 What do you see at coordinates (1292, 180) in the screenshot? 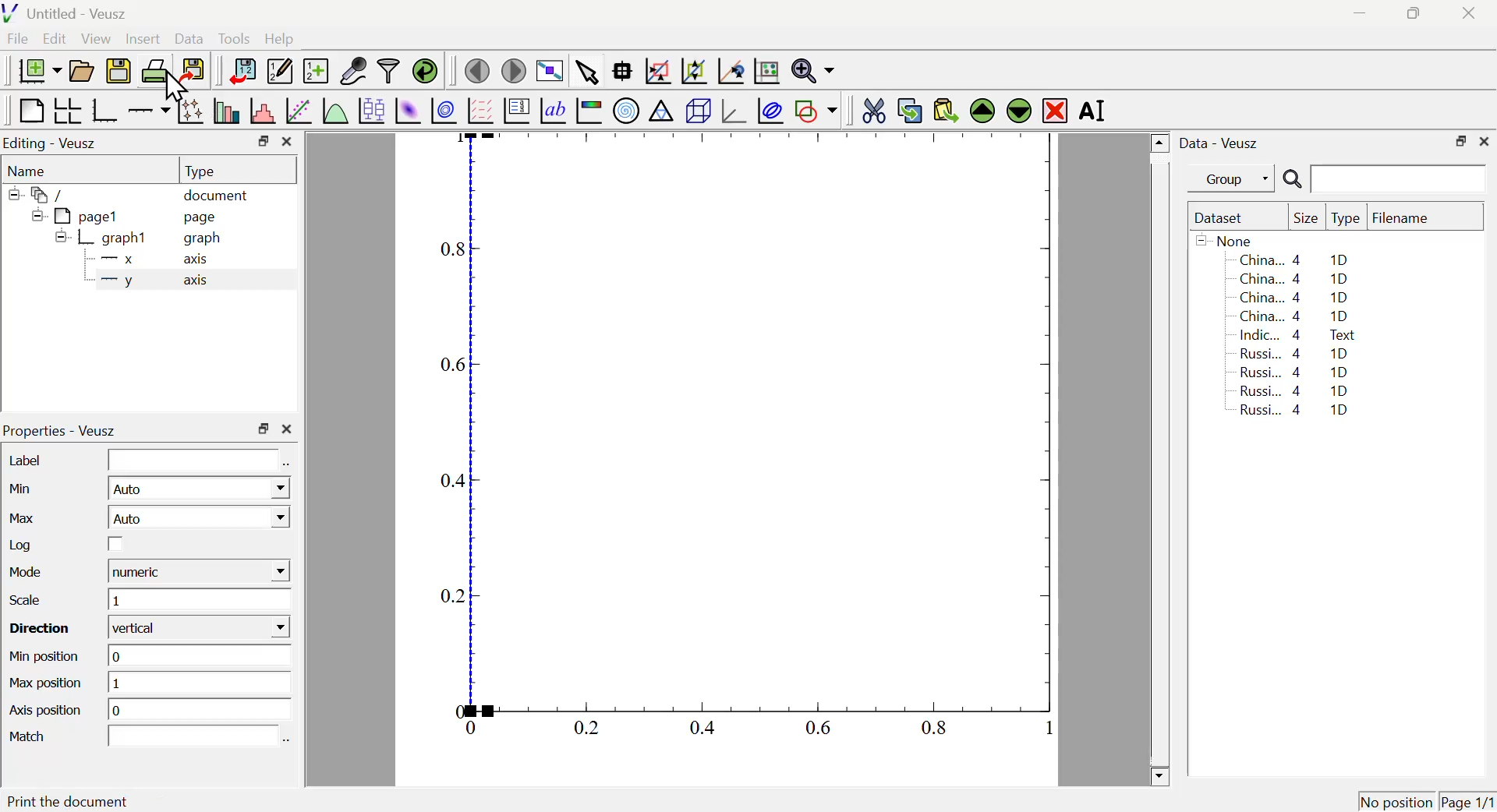
I see `Search` at bounding box center [1292, 180].